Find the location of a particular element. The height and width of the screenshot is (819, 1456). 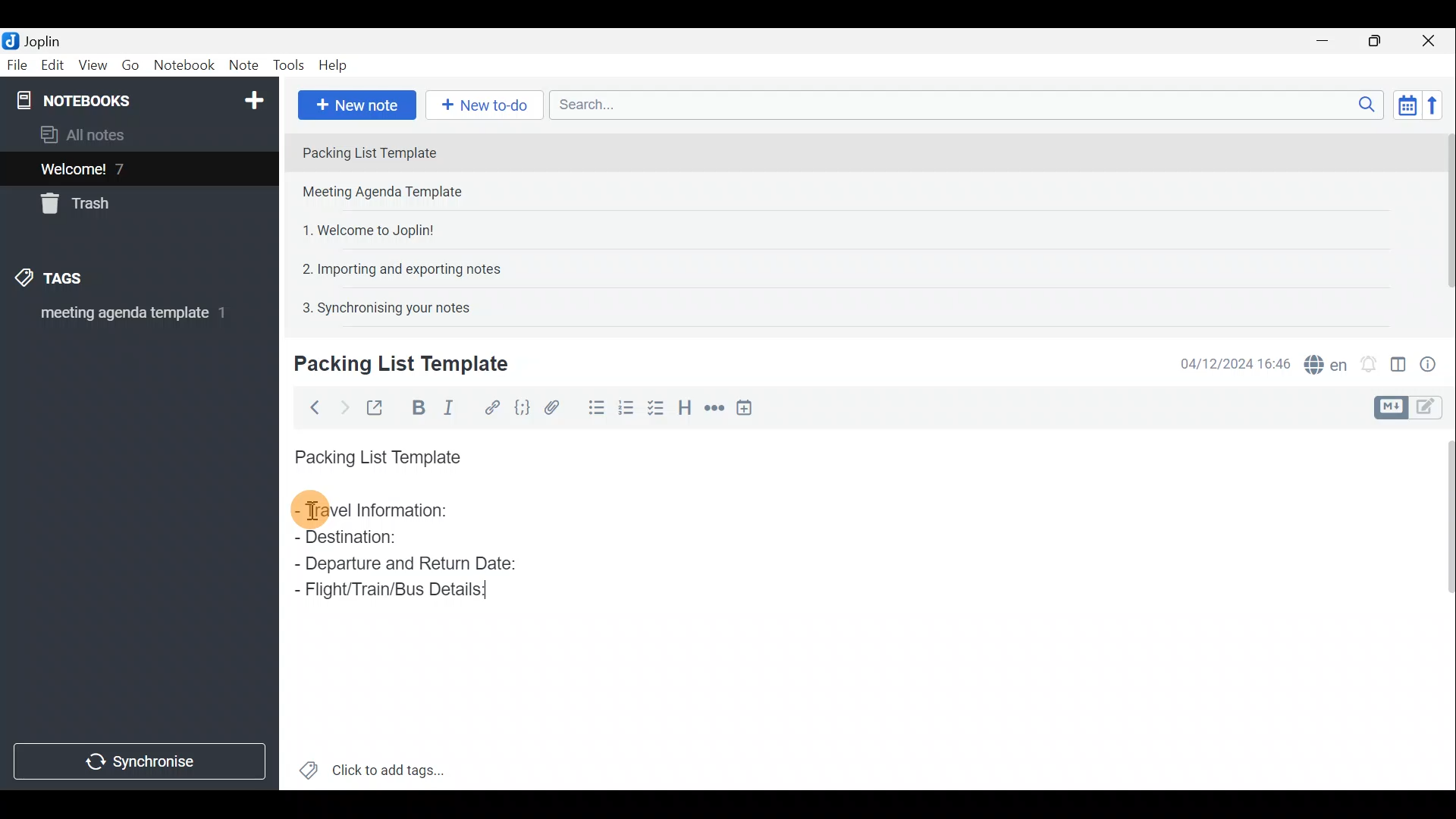

New to-do is located at coordinates (485, 105).